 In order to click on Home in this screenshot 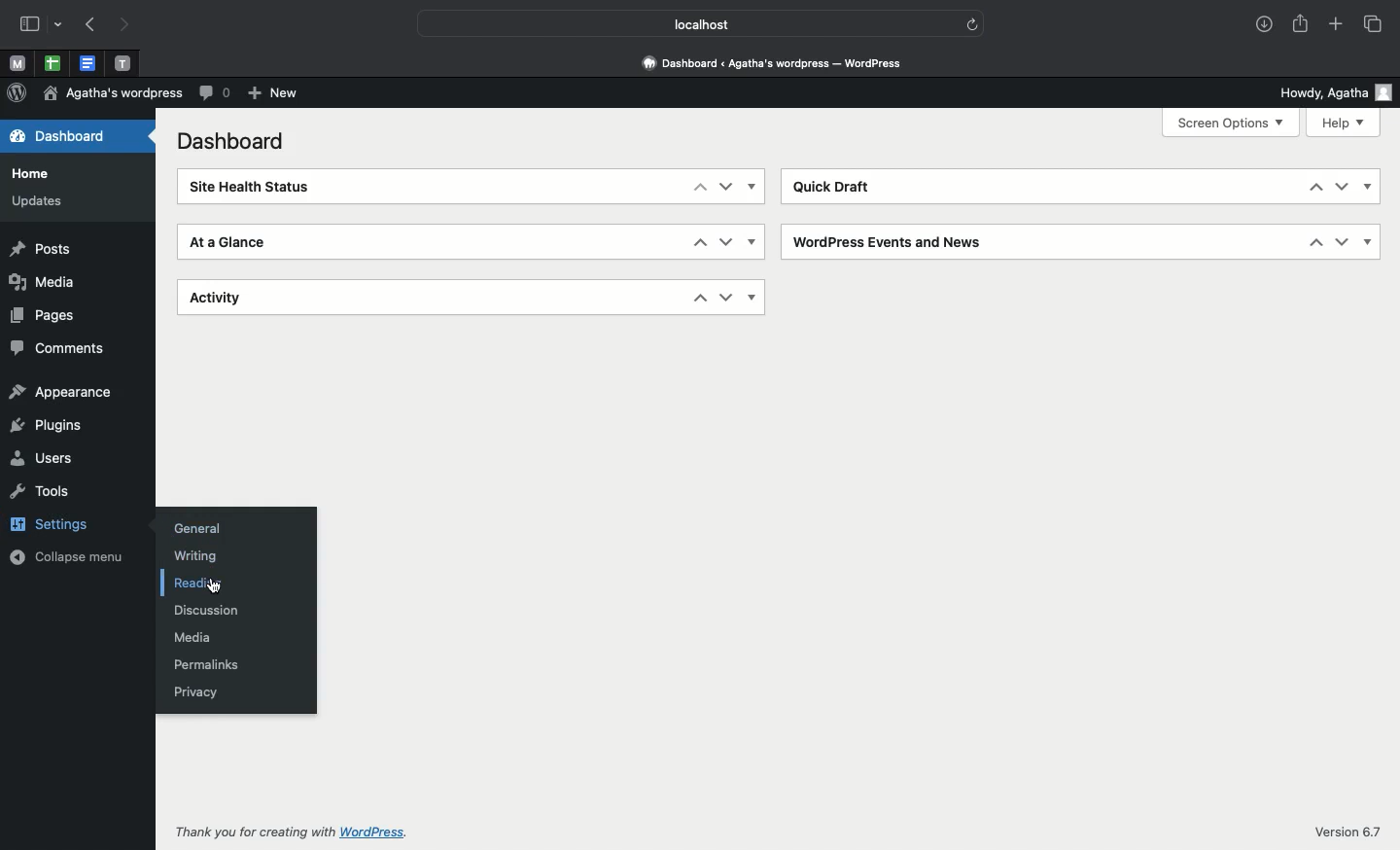, I will do `click(34, 173)`.